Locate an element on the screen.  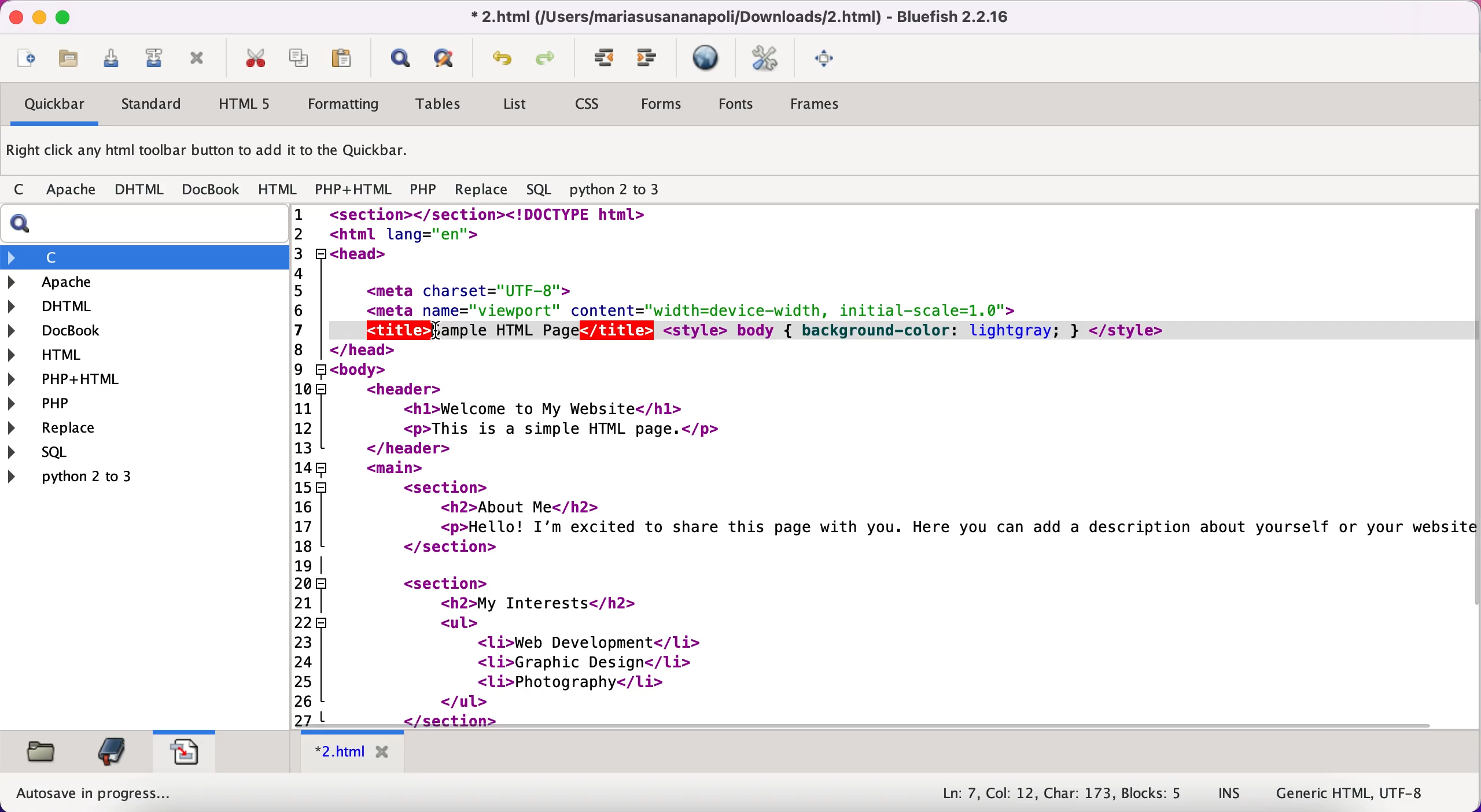
minimize is located at coordinates (38, 18).